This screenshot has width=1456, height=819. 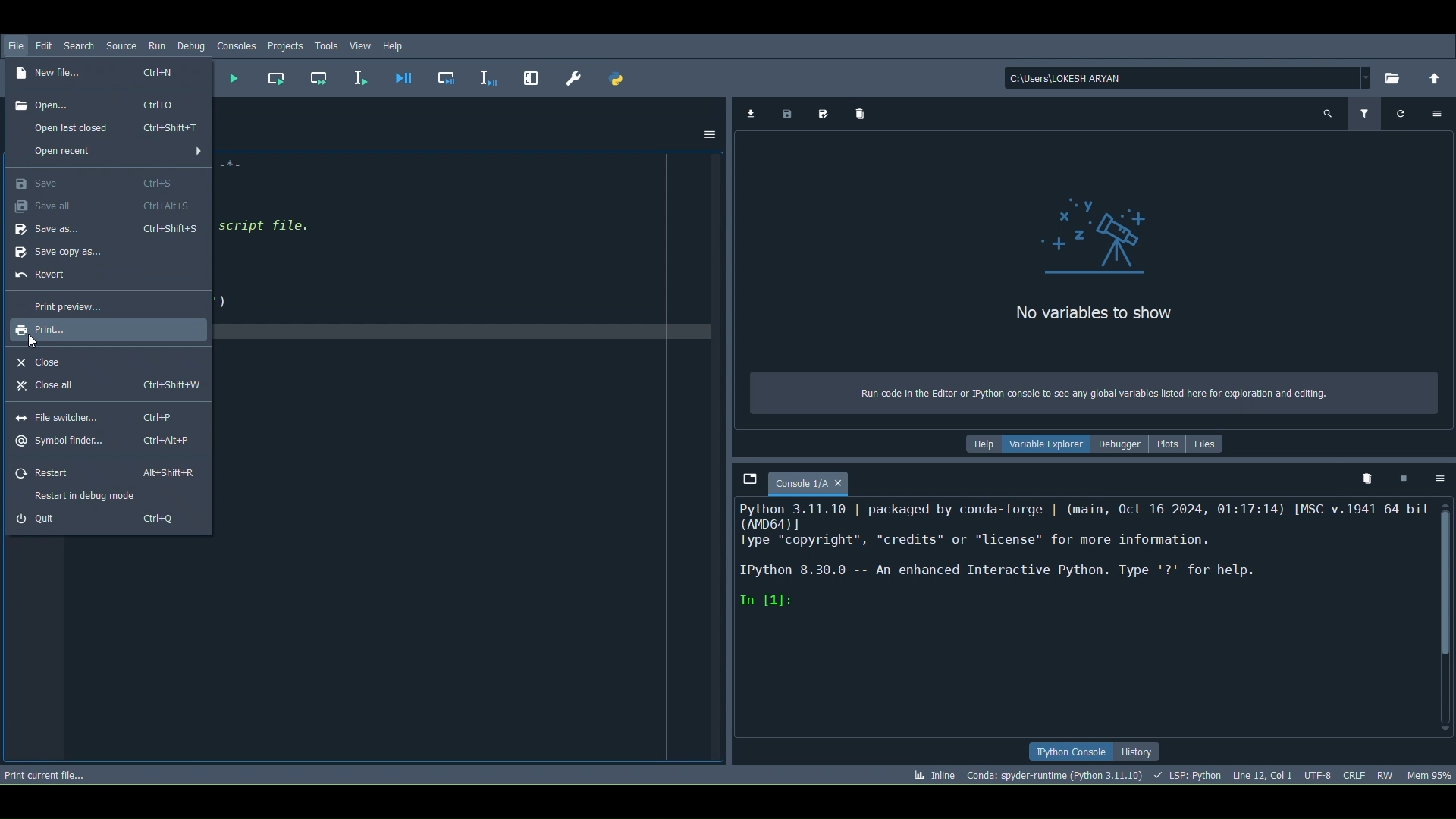 I want to click on Refresh variables, so click(x=1402, y=113).